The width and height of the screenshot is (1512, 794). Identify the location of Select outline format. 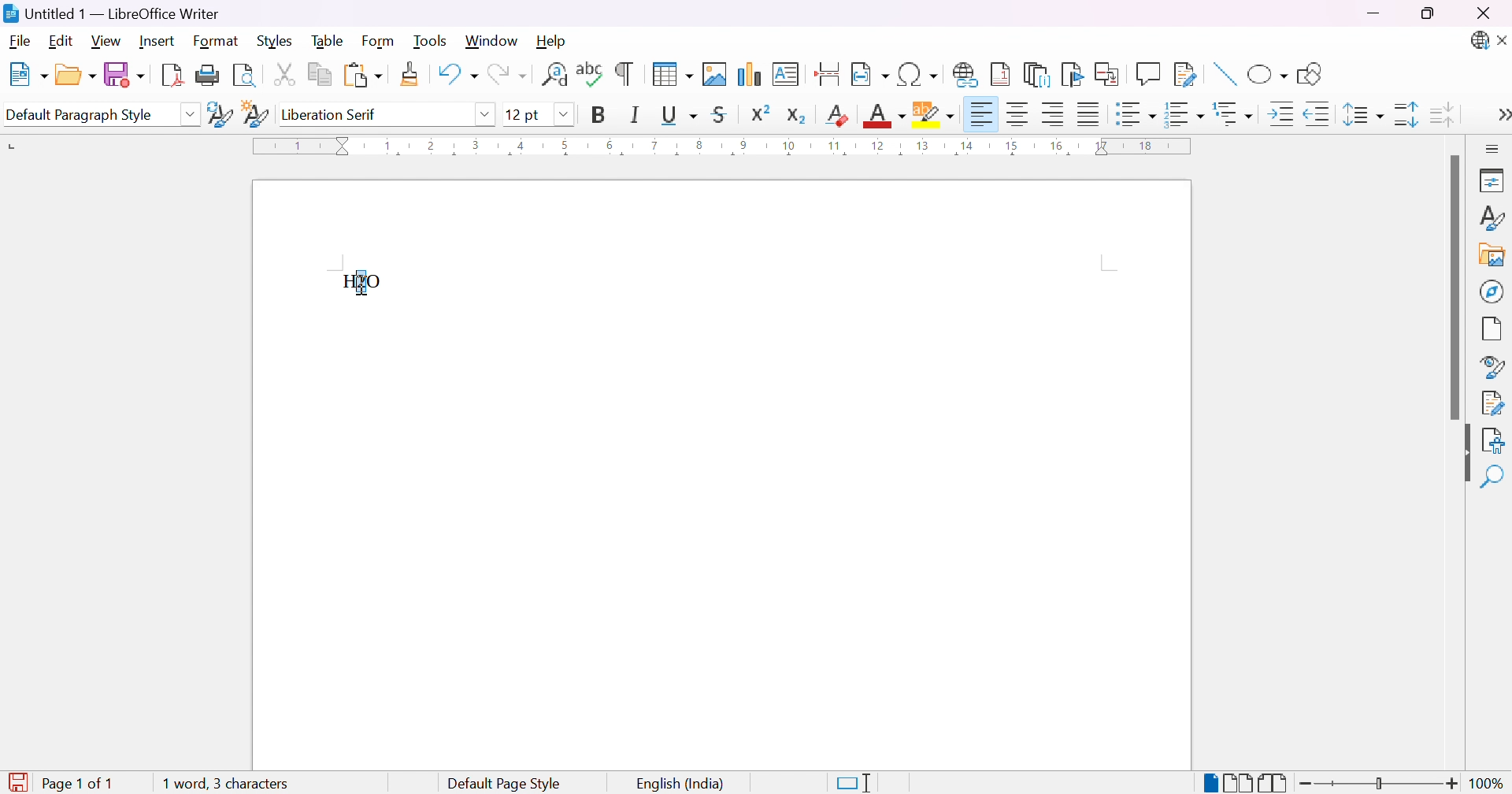
(1236, 114).